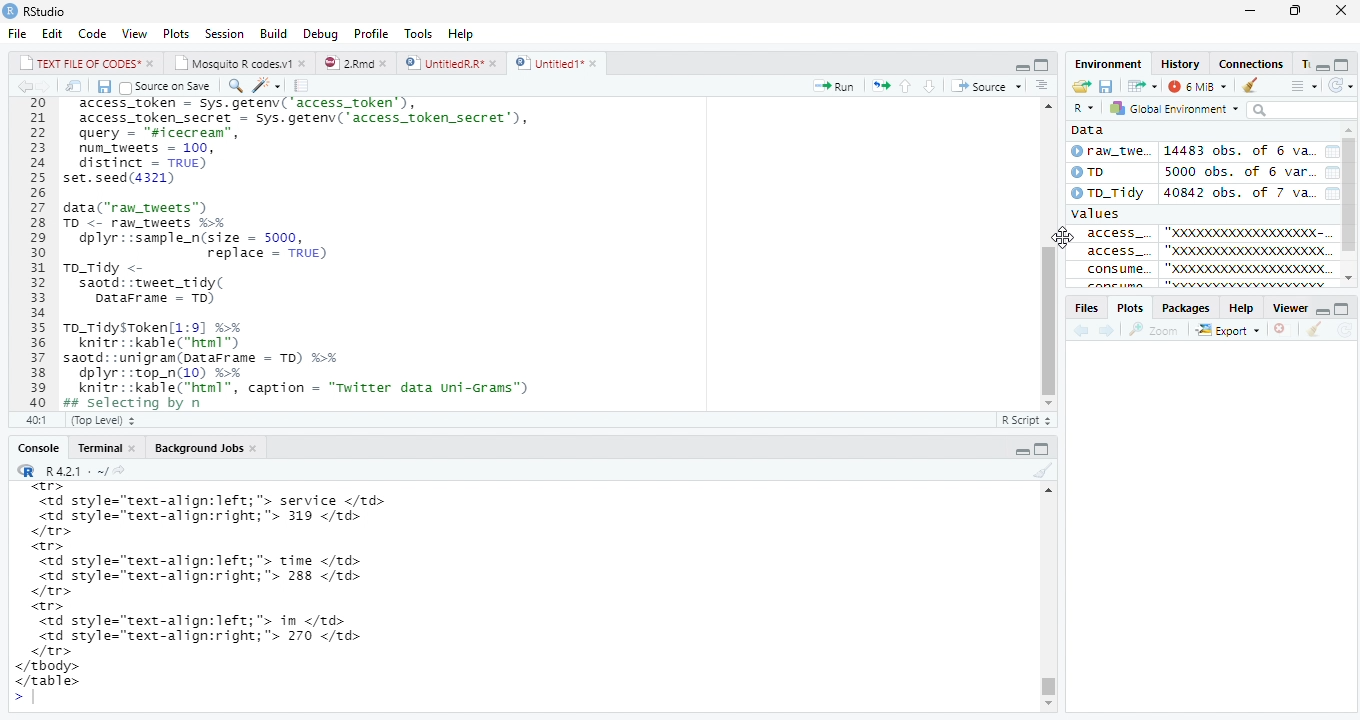 This screenshot has height=720, width=1360. What do you see at coordinates (1301, 85) in the screenshot?
I see `show outline` at bounding box center [1301, 85].